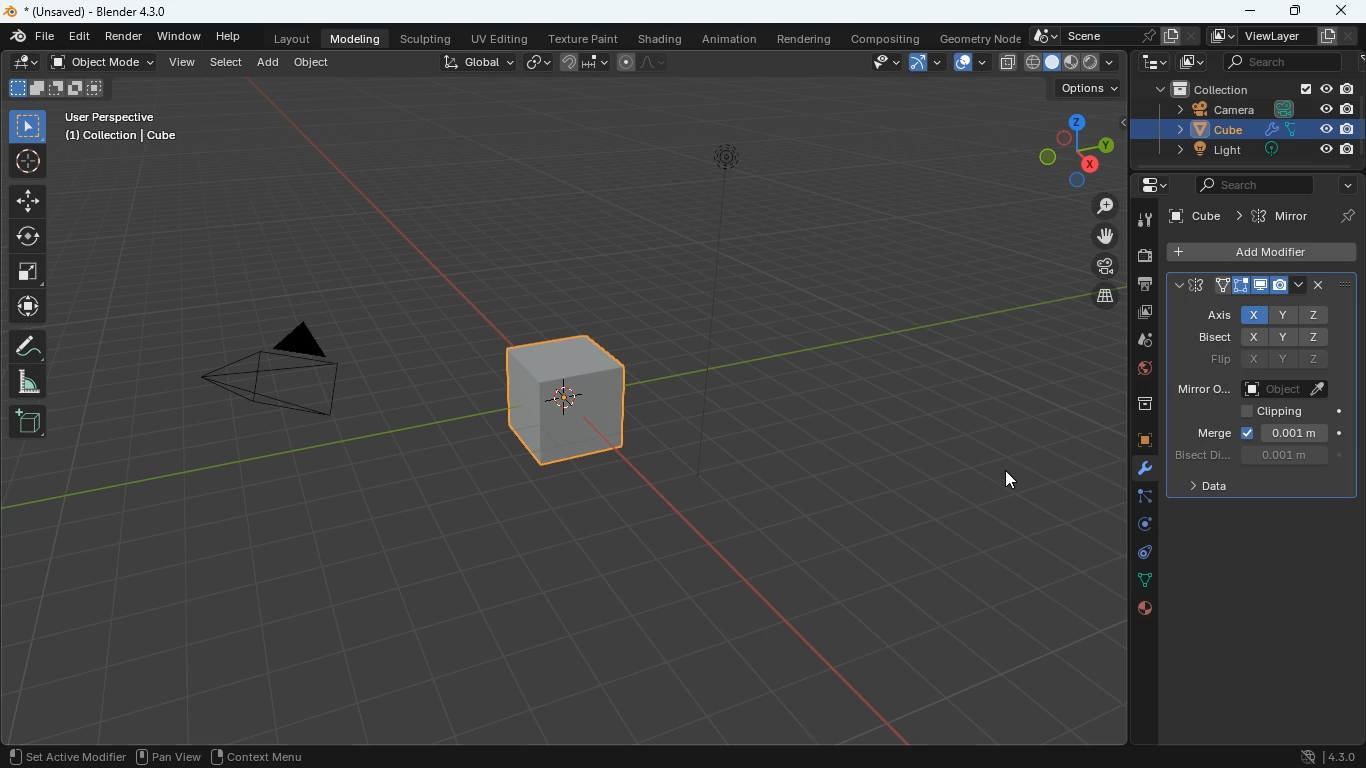 The image size is (1366, 768). What do you see at coordinates (1144, 219) in the screenshot?
I see `tools` at bounding box center [1144, 219].